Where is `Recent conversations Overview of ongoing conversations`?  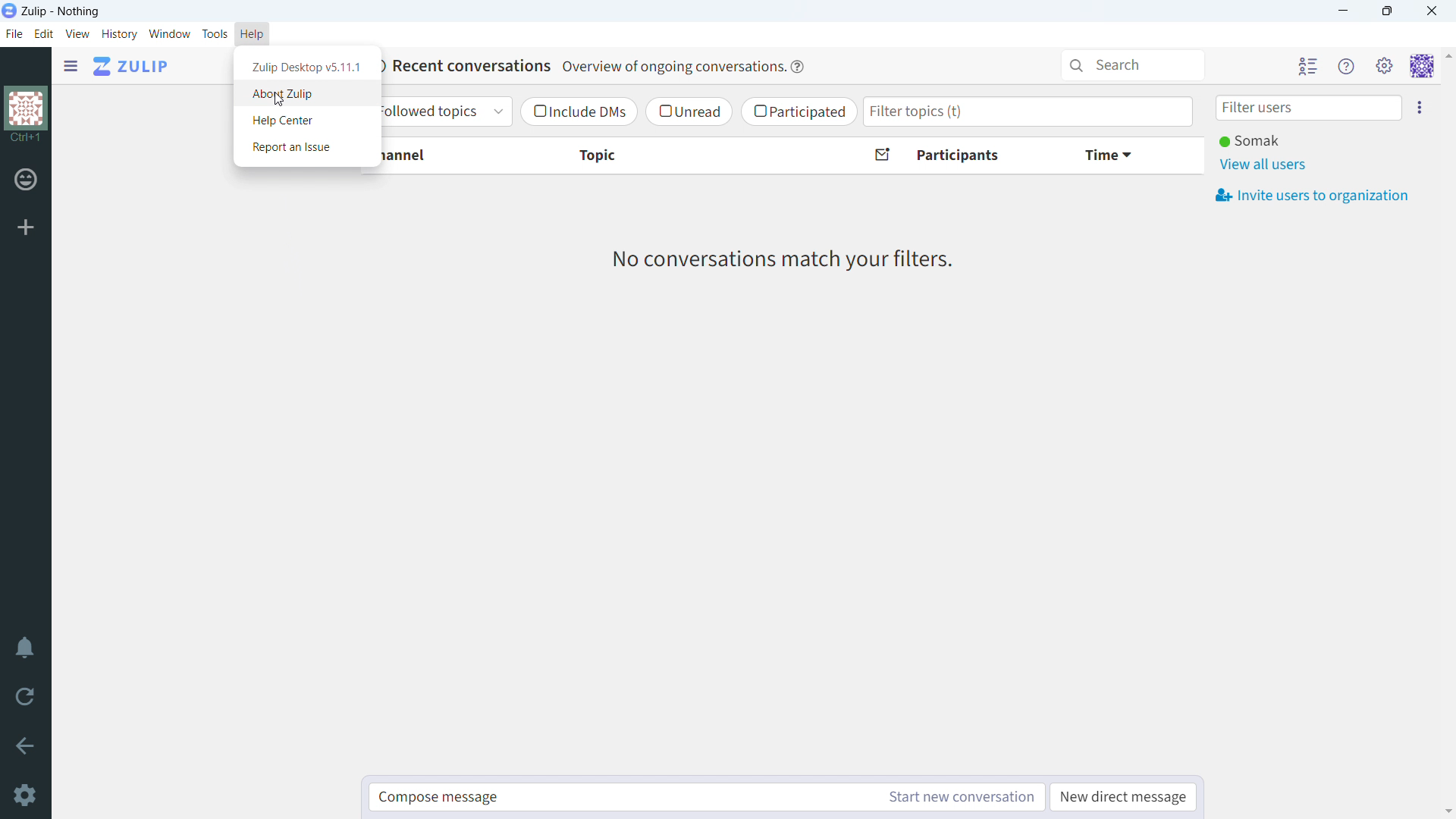
Recent conversations Overview of ongoing conversations is located at coordinates (582, 65).